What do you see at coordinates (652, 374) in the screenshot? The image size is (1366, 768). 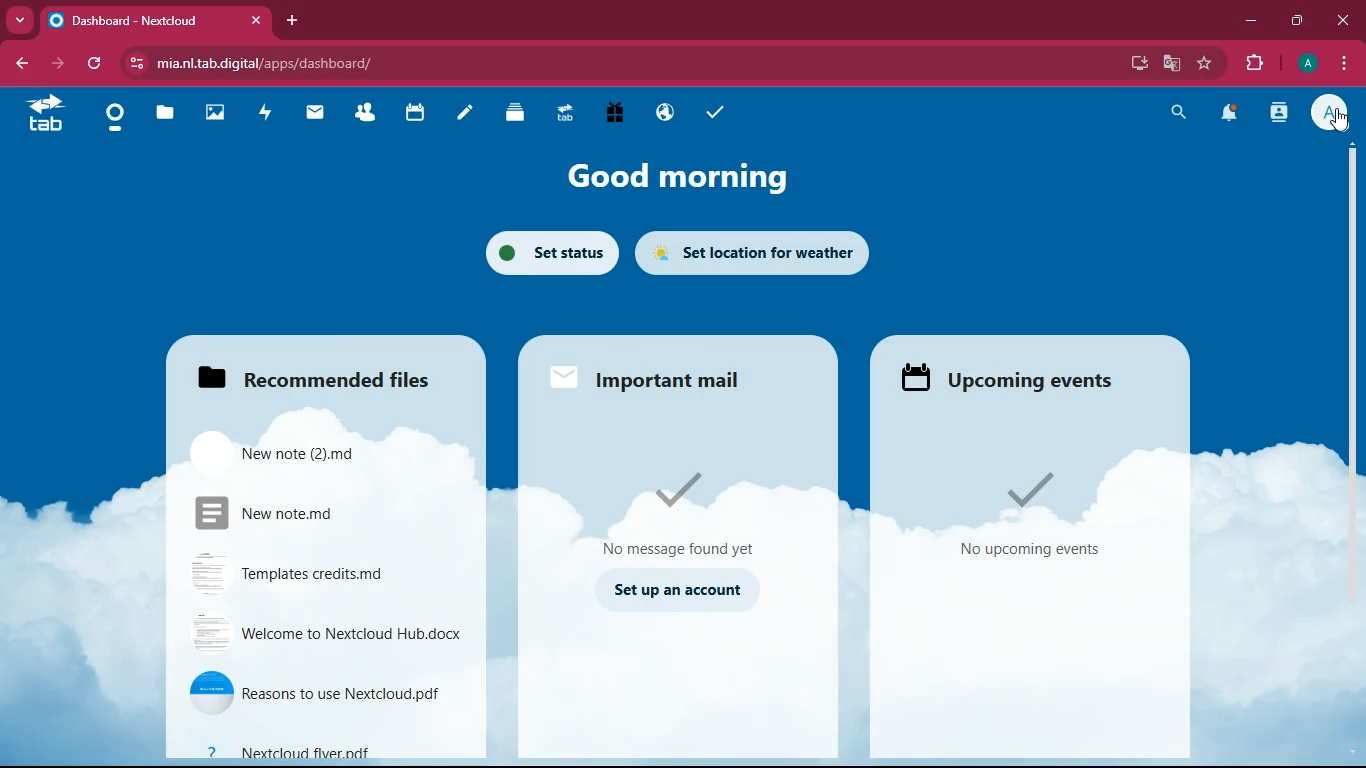 I see `mail` at bounding box center [652, 374].